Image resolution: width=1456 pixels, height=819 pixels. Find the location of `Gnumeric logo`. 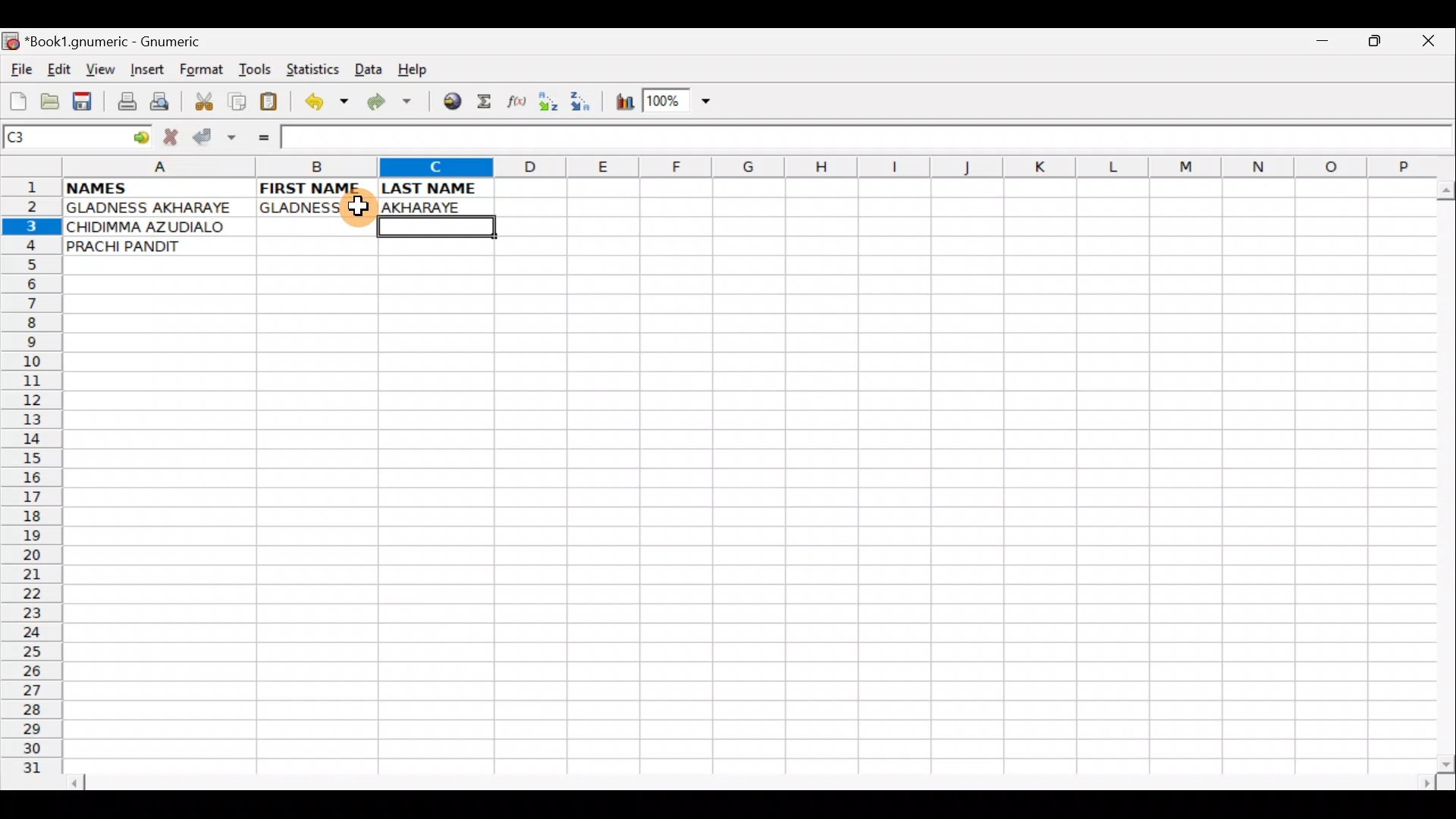

Gnumeric logo is located at coordinates (11, 42).